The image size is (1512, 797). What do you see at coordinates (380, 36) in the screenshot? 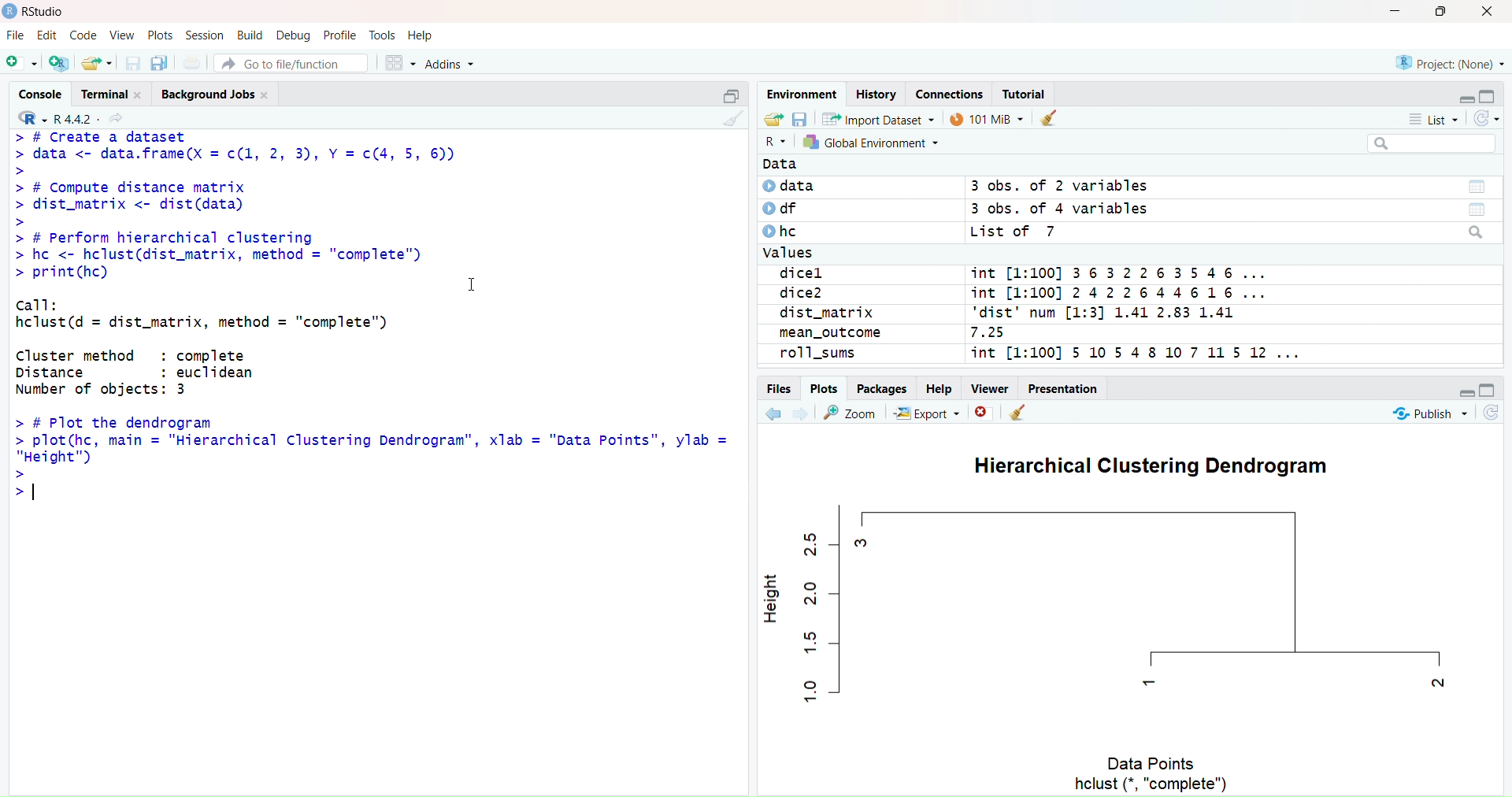
I see `Tools` at bounding box center [380, 36].